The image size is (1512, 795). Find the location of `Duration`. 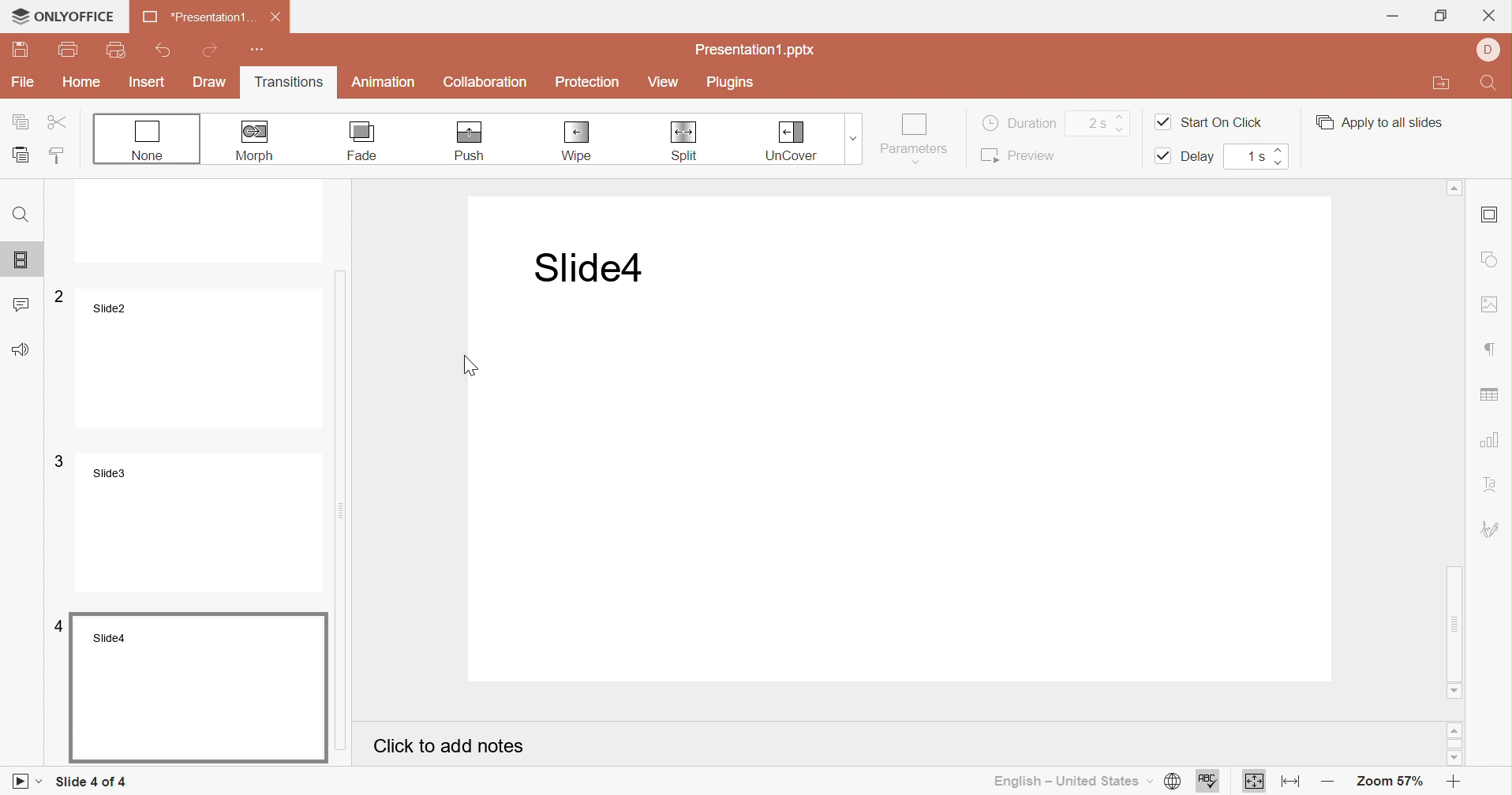

Duration is located at coordinates (1020, 121).